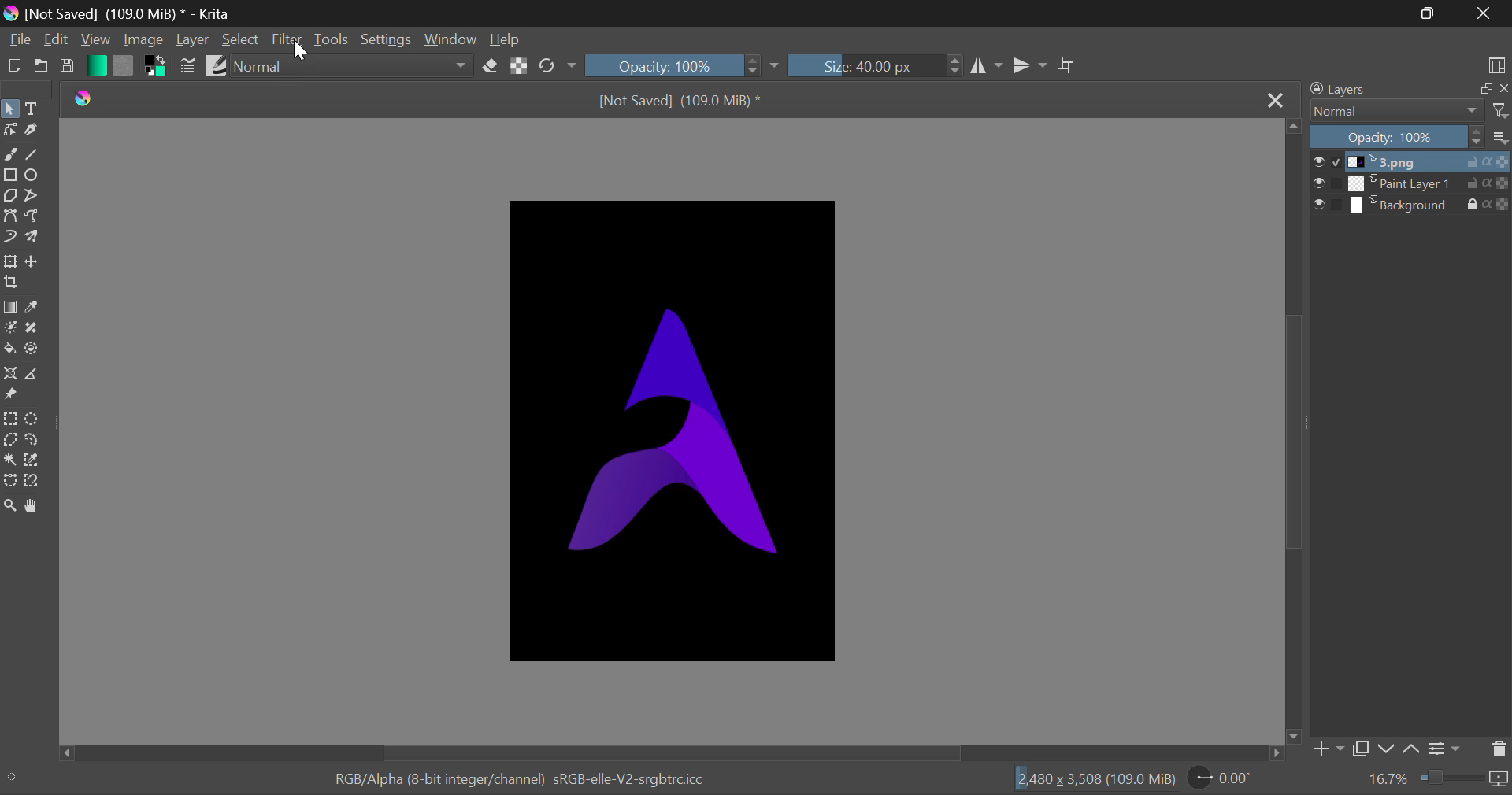 The image size is (1512, 795). I want to click on 16.7%, so click(1388, 779).